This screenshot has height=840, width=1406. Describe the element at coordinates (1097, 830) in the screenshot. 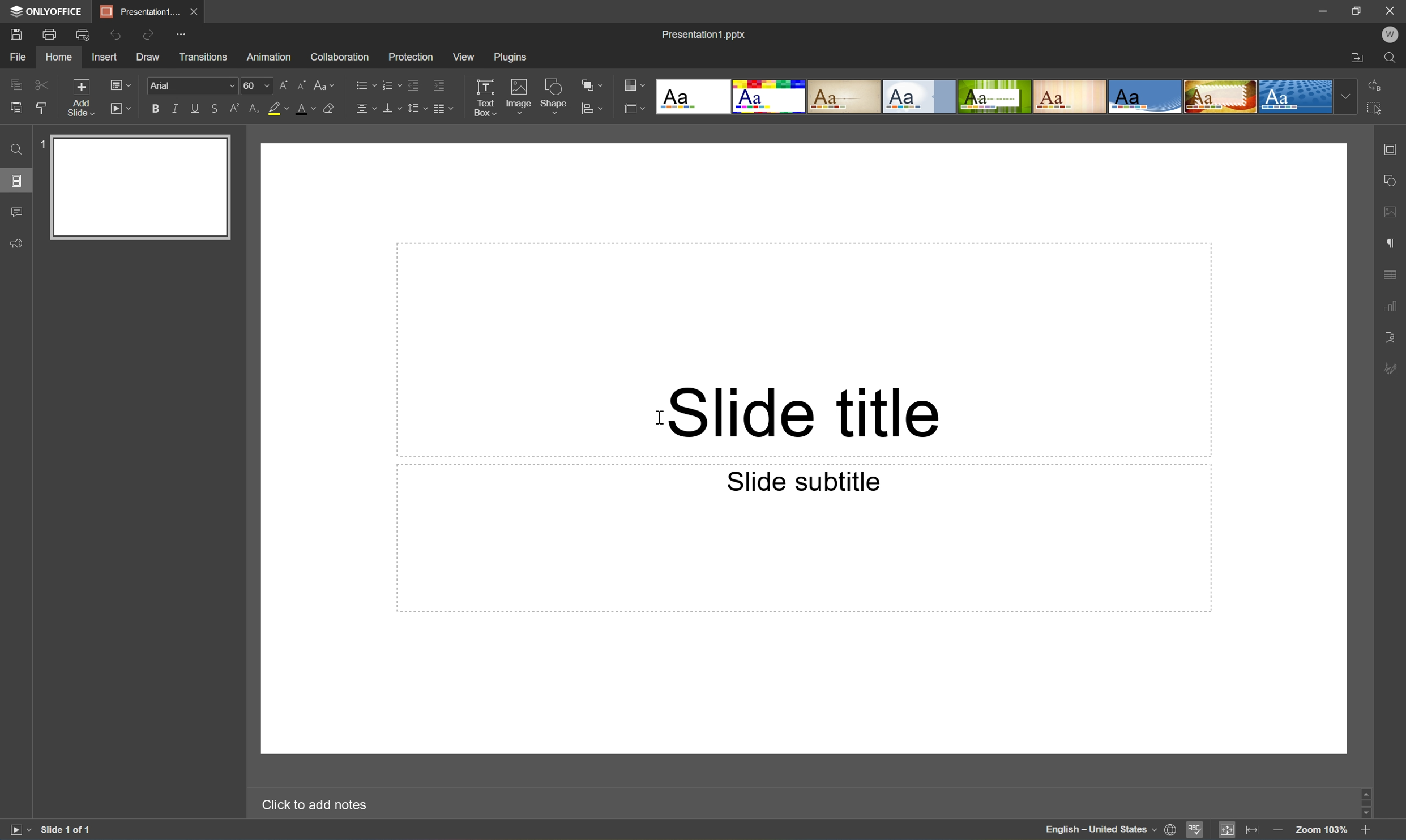

I see `English - United States` at that location.